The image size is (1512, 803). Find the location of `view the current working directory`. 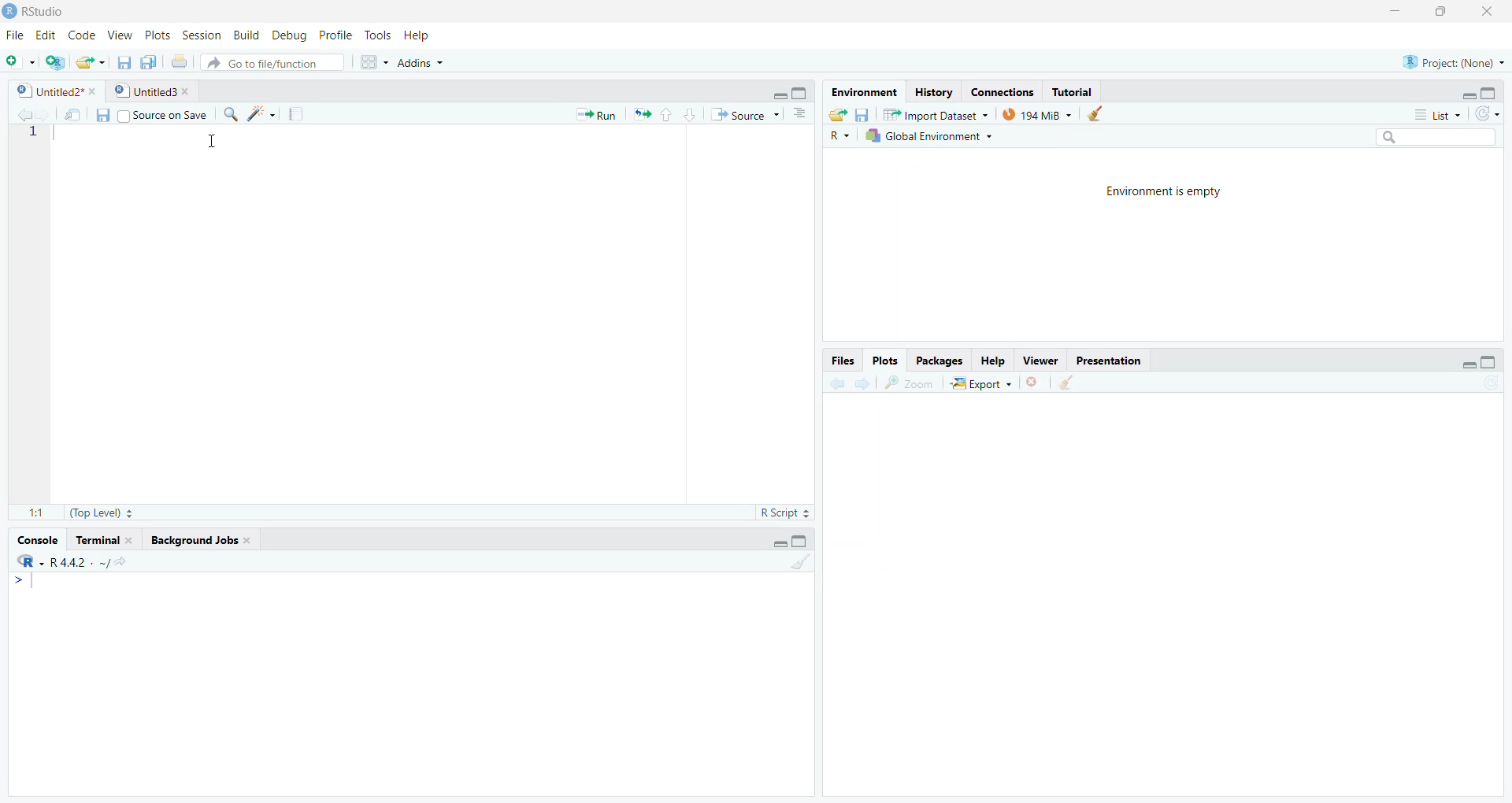

view the current working directory is located at coordinates (120, 563).